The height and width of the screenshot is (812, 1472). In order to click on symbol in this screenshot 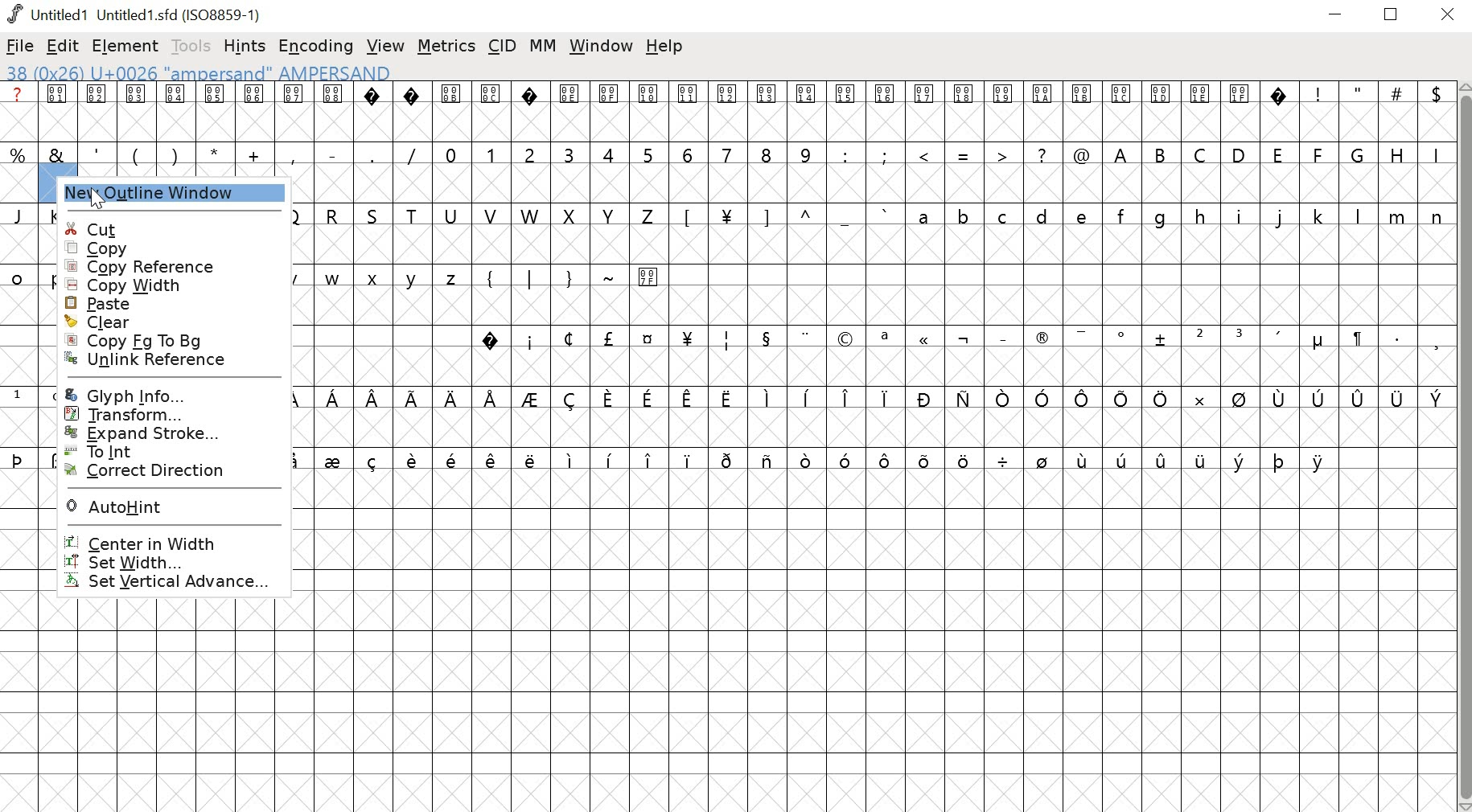, I will do `click(19, 458)`.